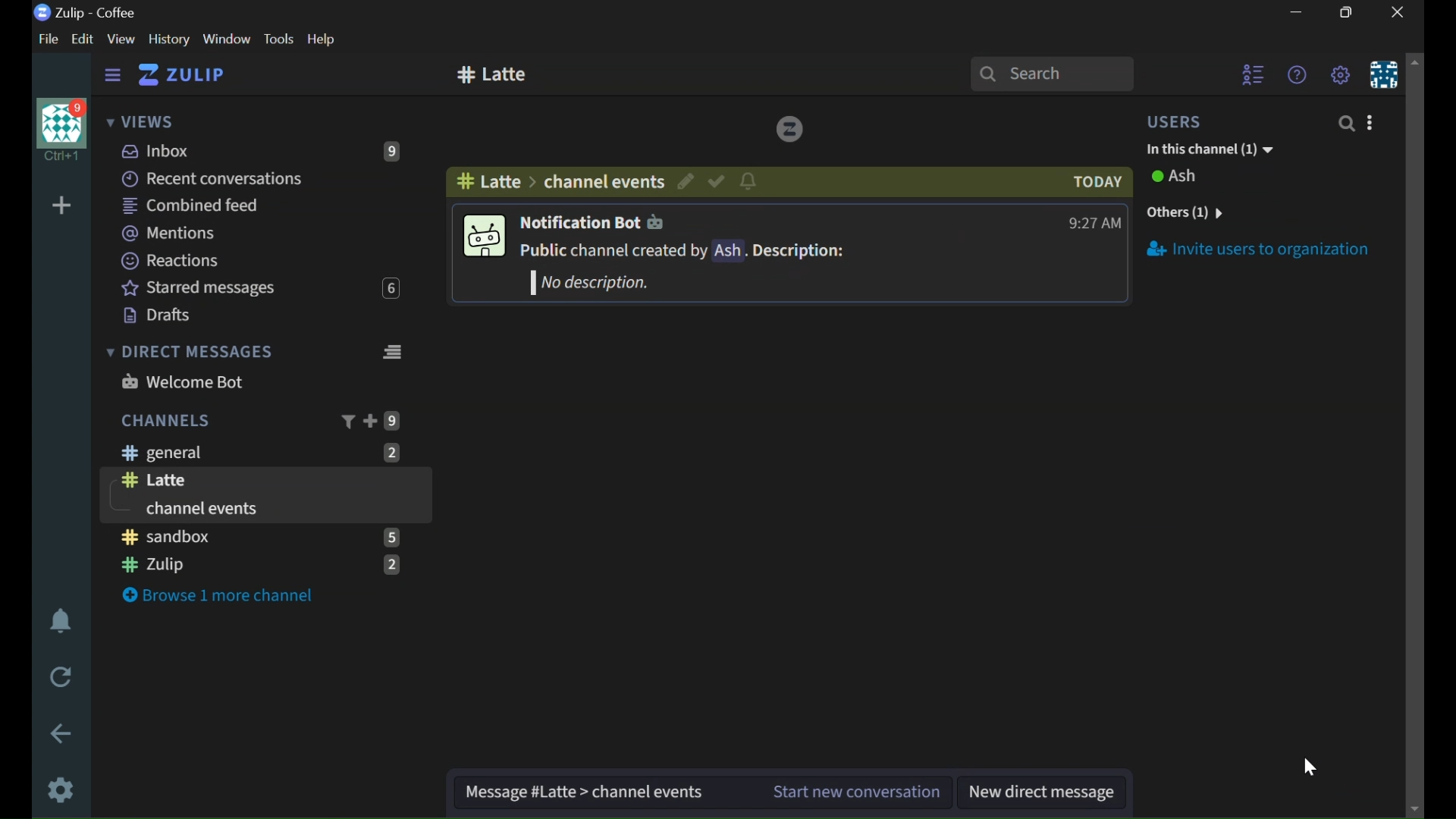 This screenshot has width=1456, height=819. I want to click on USER PROFILE, so click(59, 130).